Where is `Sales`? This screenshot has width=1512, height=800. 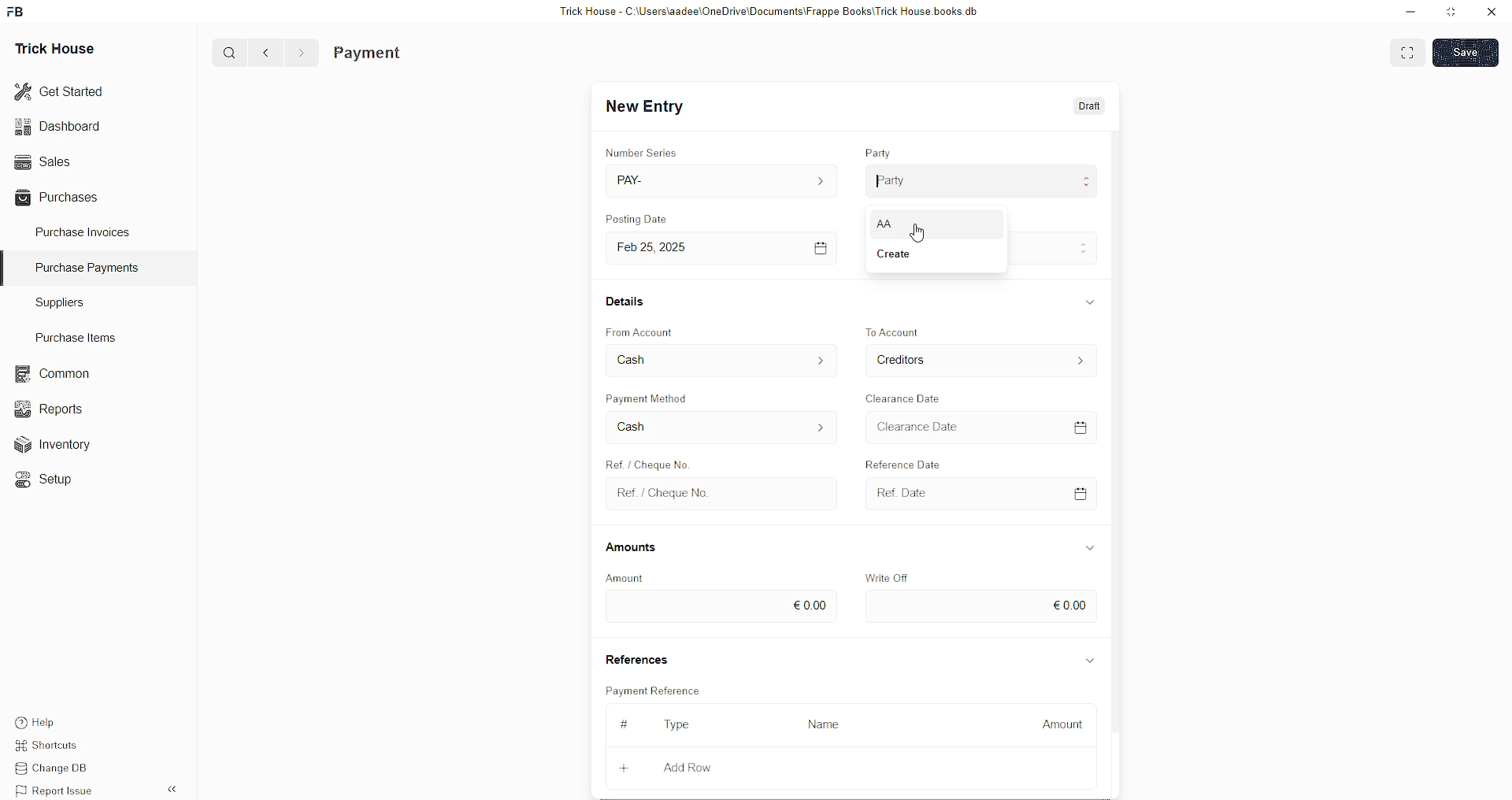 Sales is located at coordinates (41, 160).